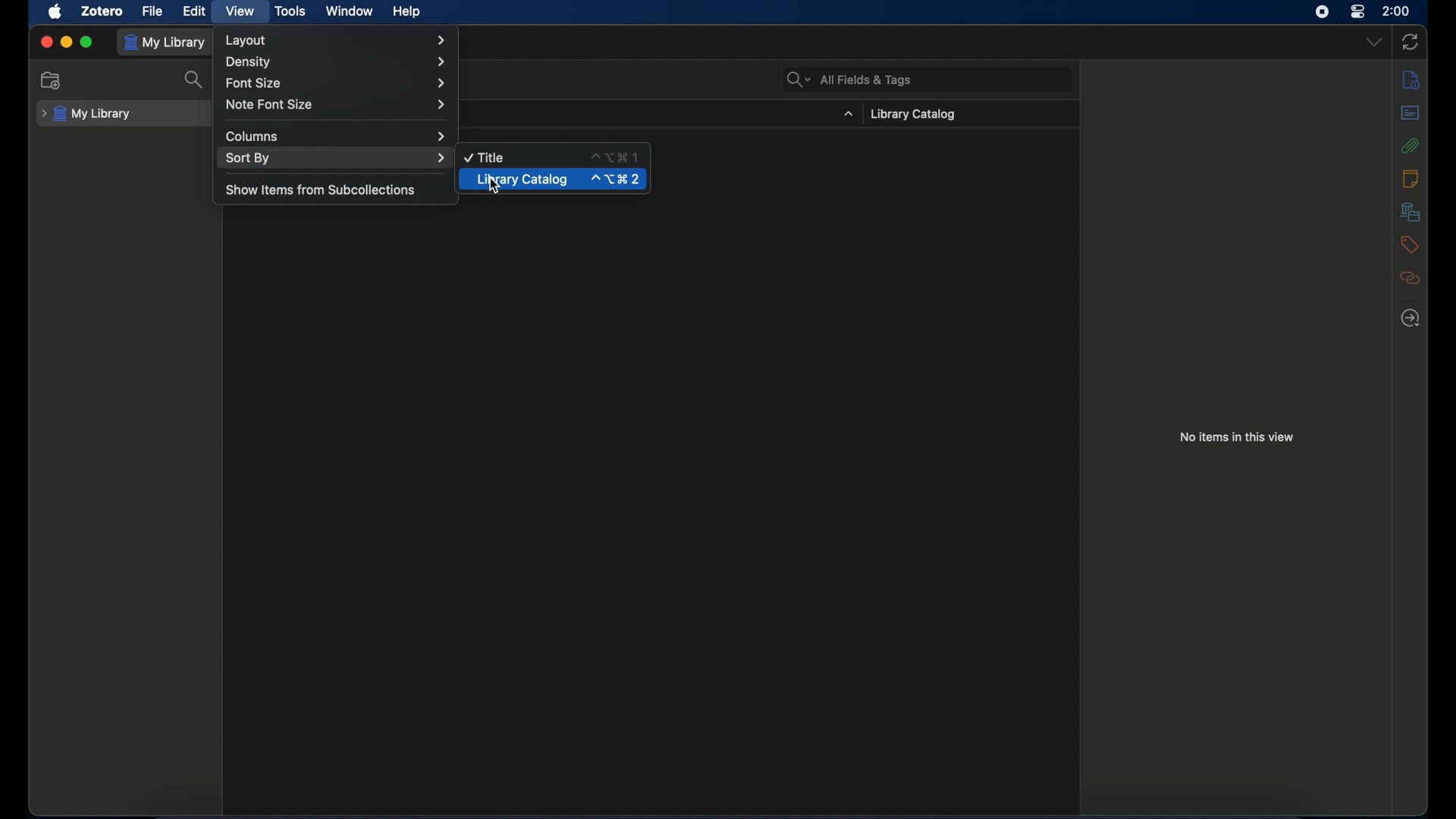 This screenshot has width=1456, height=819. What do you see at coordinates (848, 80) in the screenshot?
I see `all fields & tags` at bounding box center [848, 80].